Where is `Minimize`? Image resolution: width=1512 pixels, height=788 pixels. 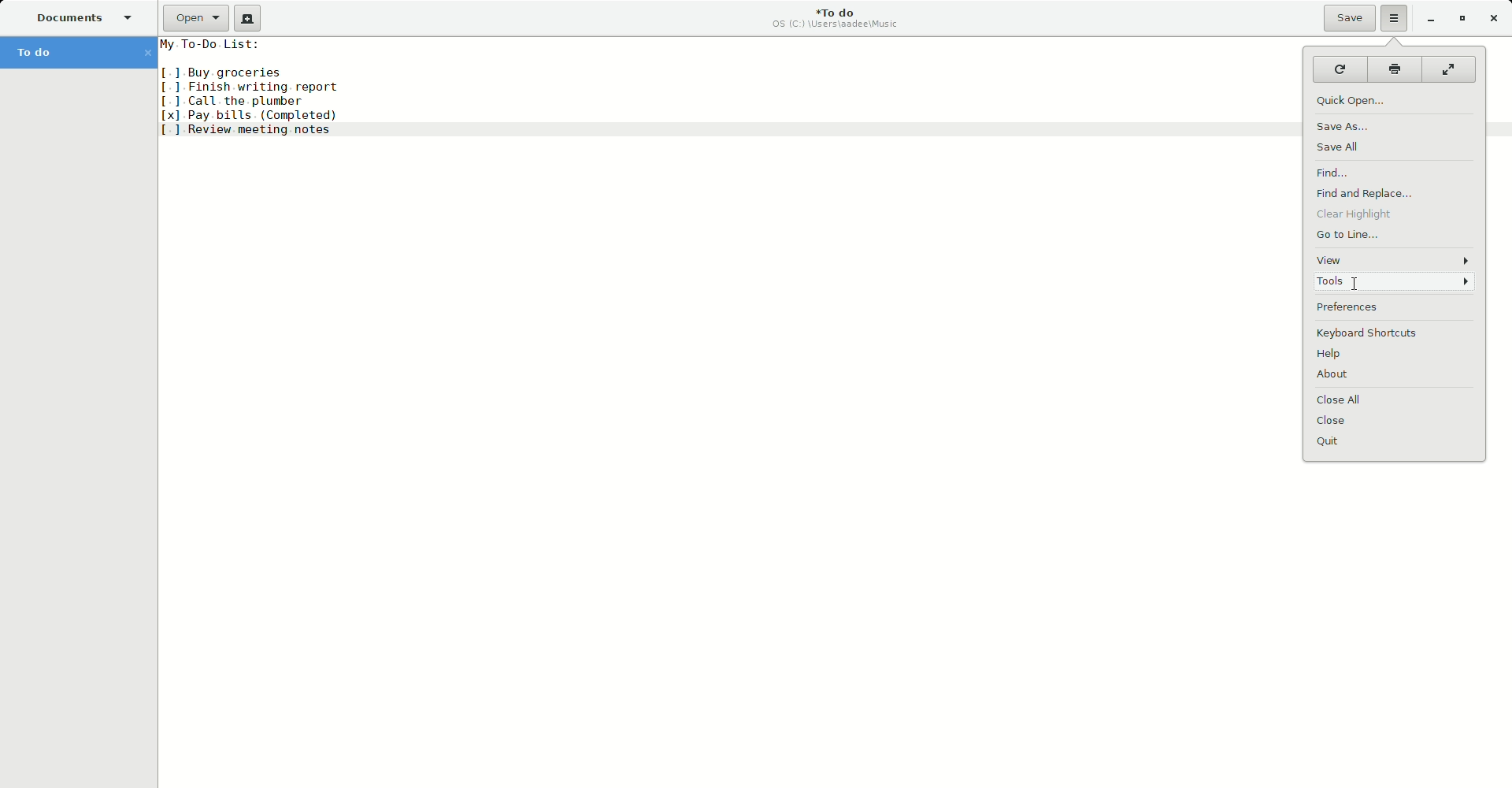
Minimize is located at coordinates (1431, 20).